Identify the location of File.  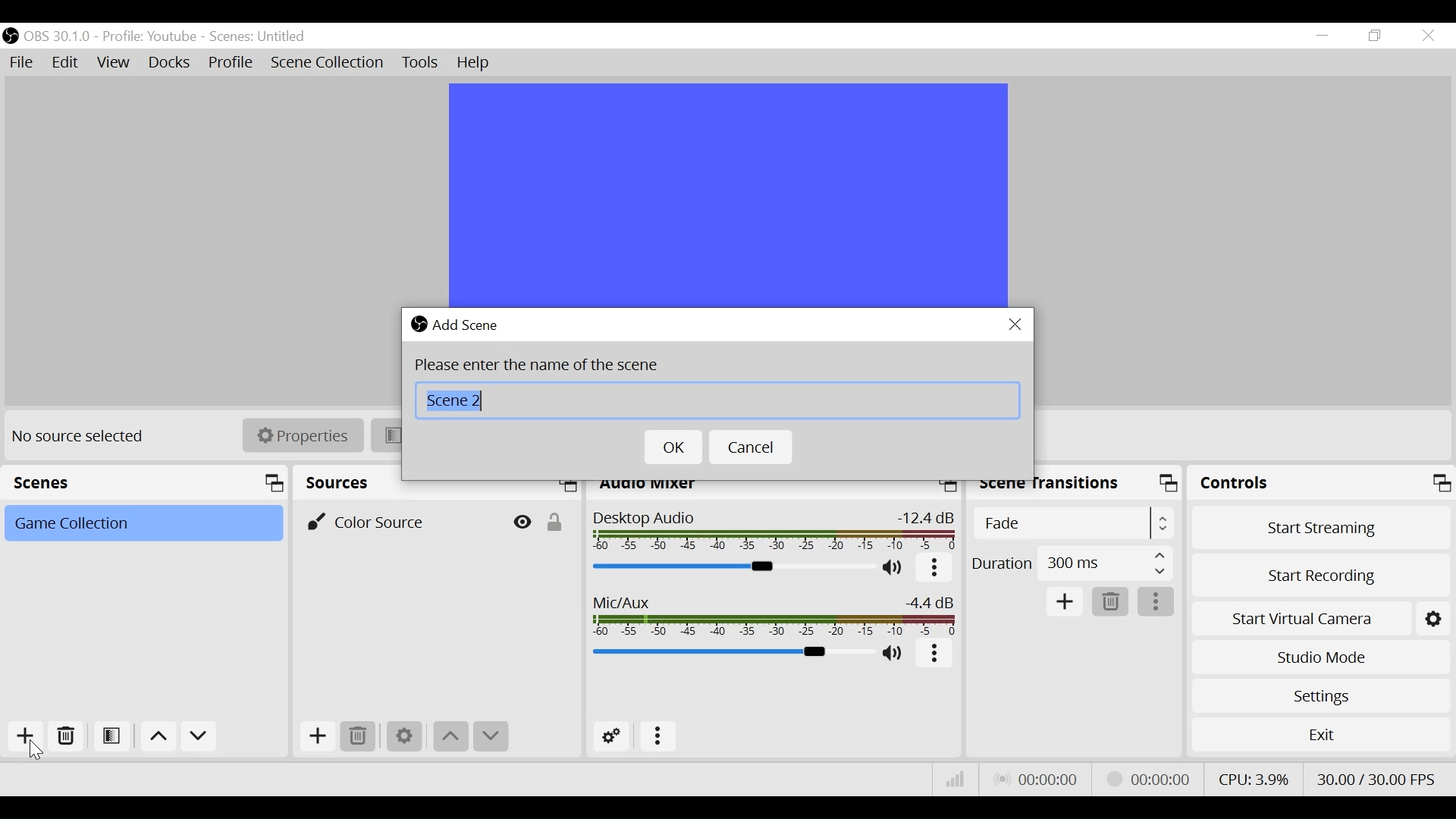
(21, 61).